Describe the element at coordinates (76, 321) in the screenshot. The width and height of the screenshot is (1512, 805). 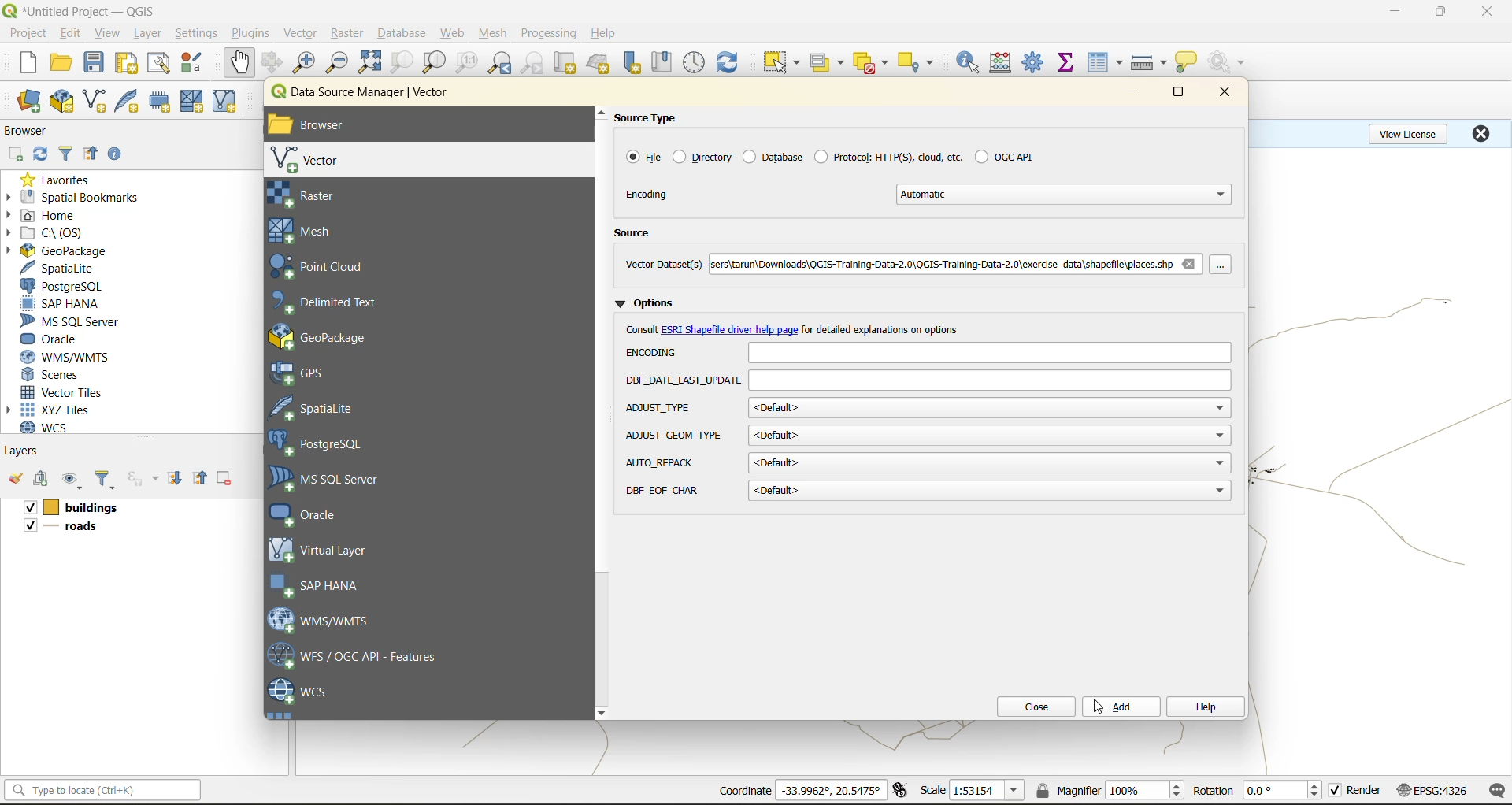
I see `ms sql server` at that location.